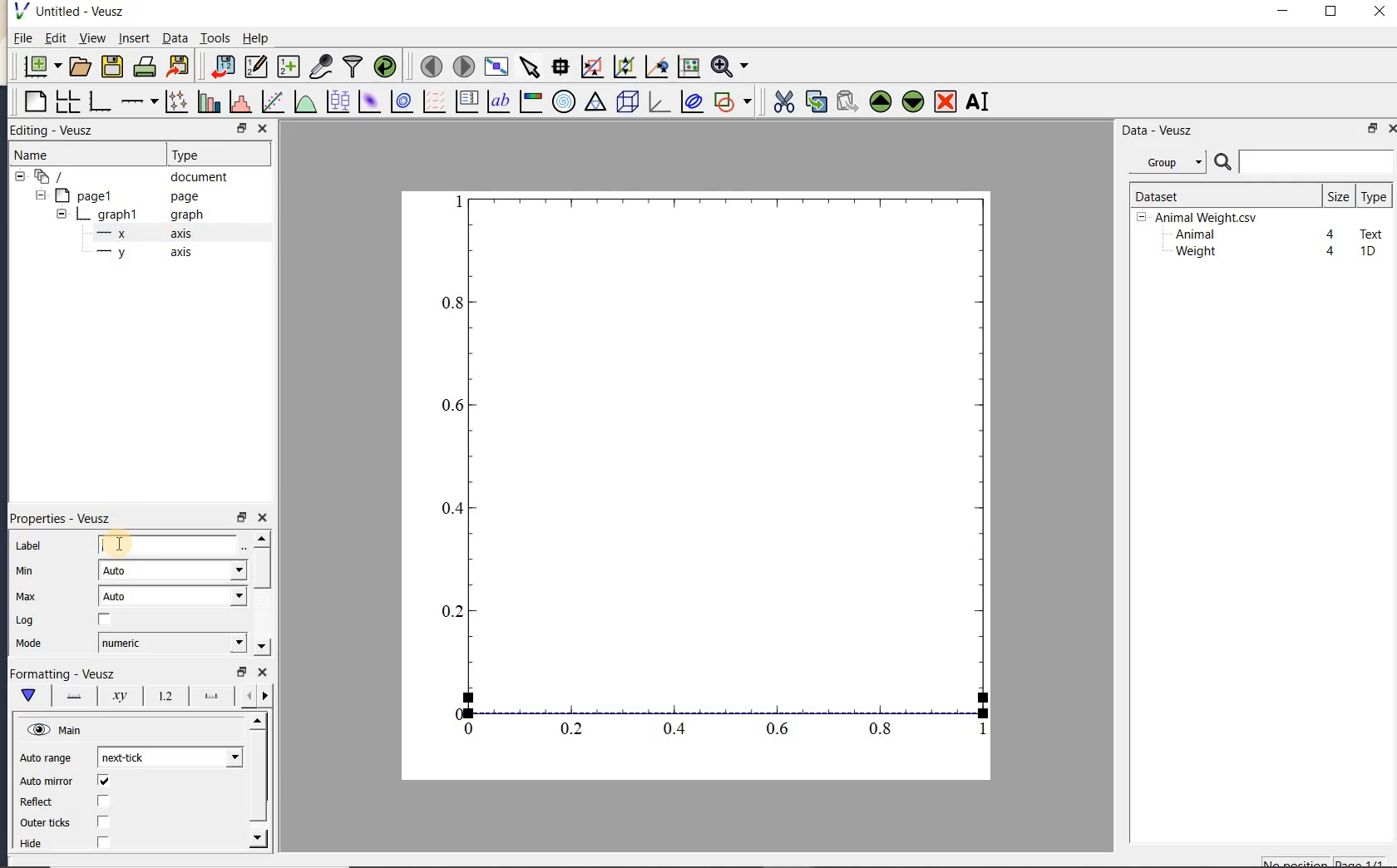 The height and width of the screenshot is (868, 1397). I want to click on plot a 2d dataset as contours, so click(400, 101).